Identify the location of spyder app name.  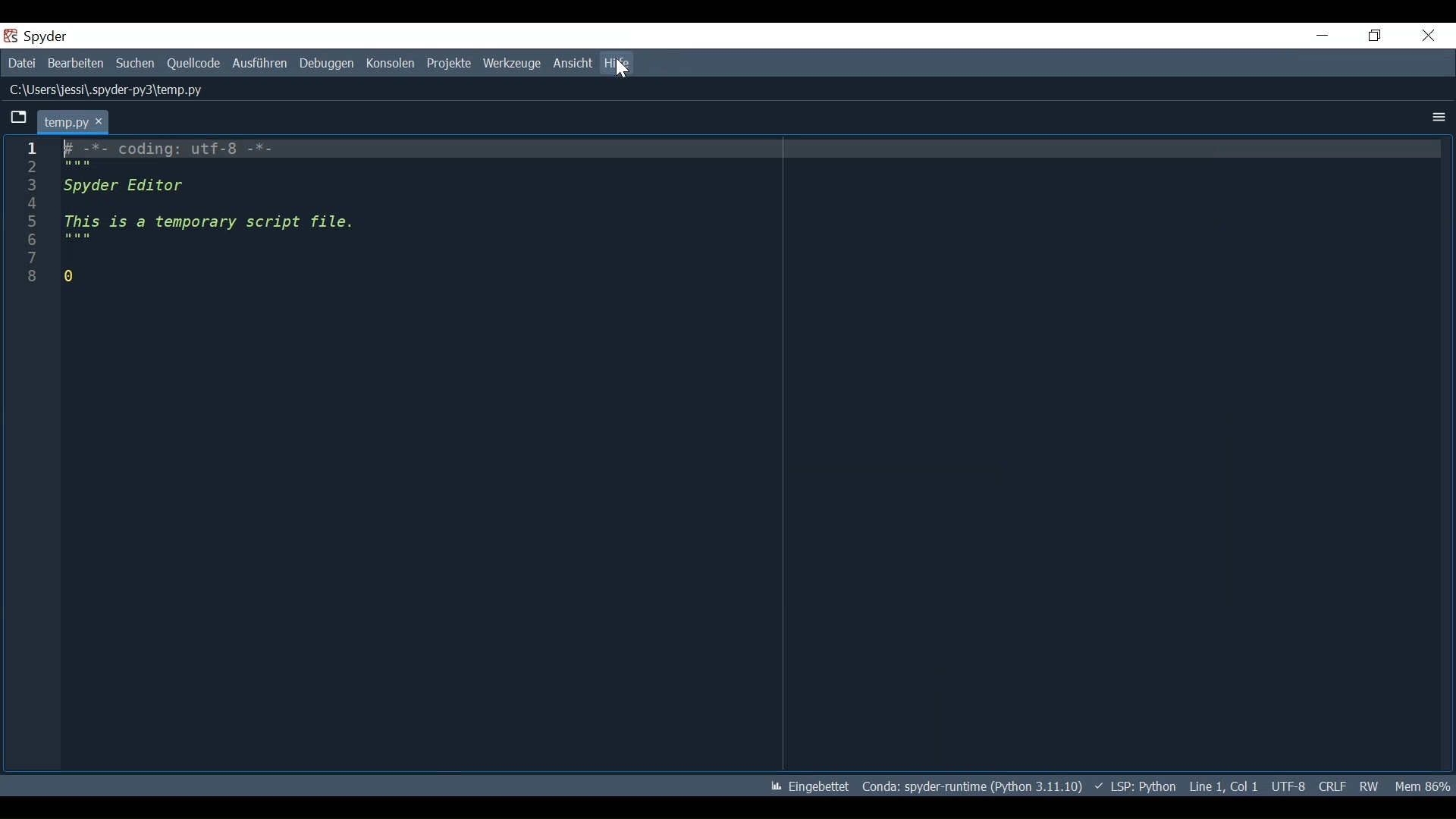
(78, 36).